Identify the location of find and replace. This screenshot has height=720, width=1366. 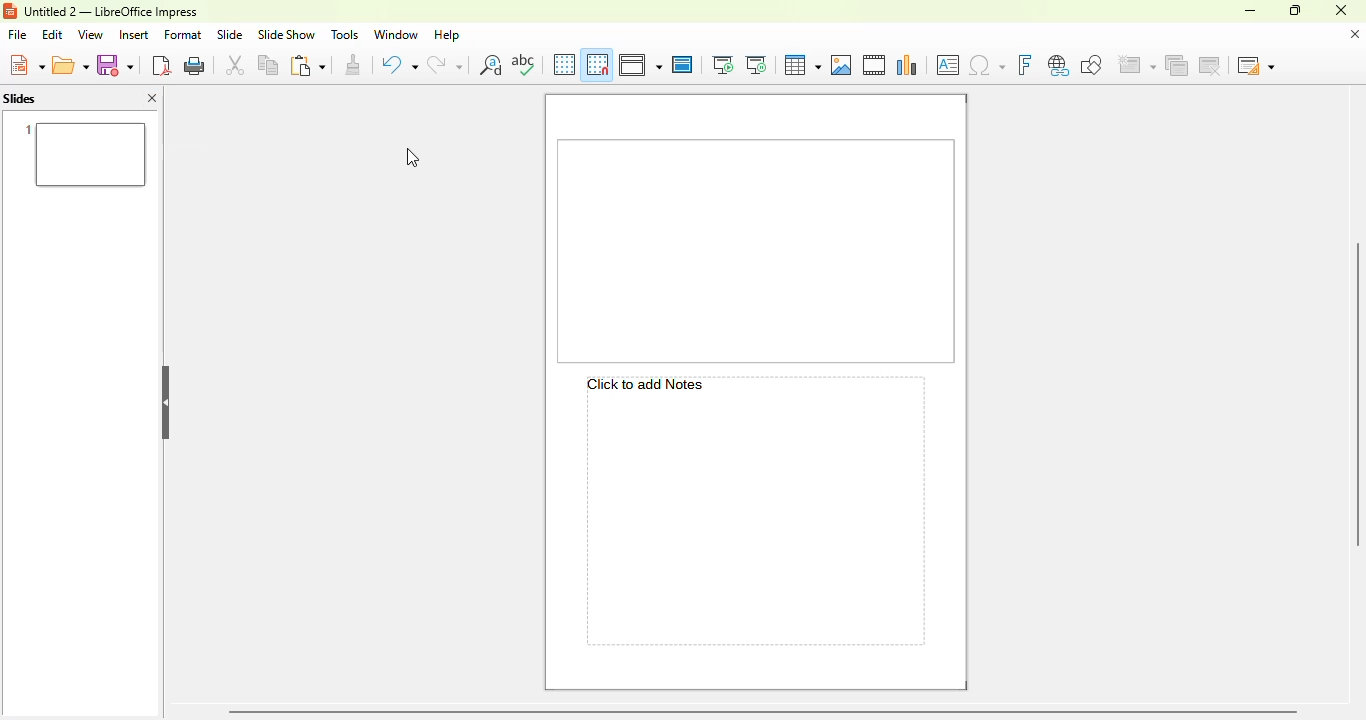
(491, 64).